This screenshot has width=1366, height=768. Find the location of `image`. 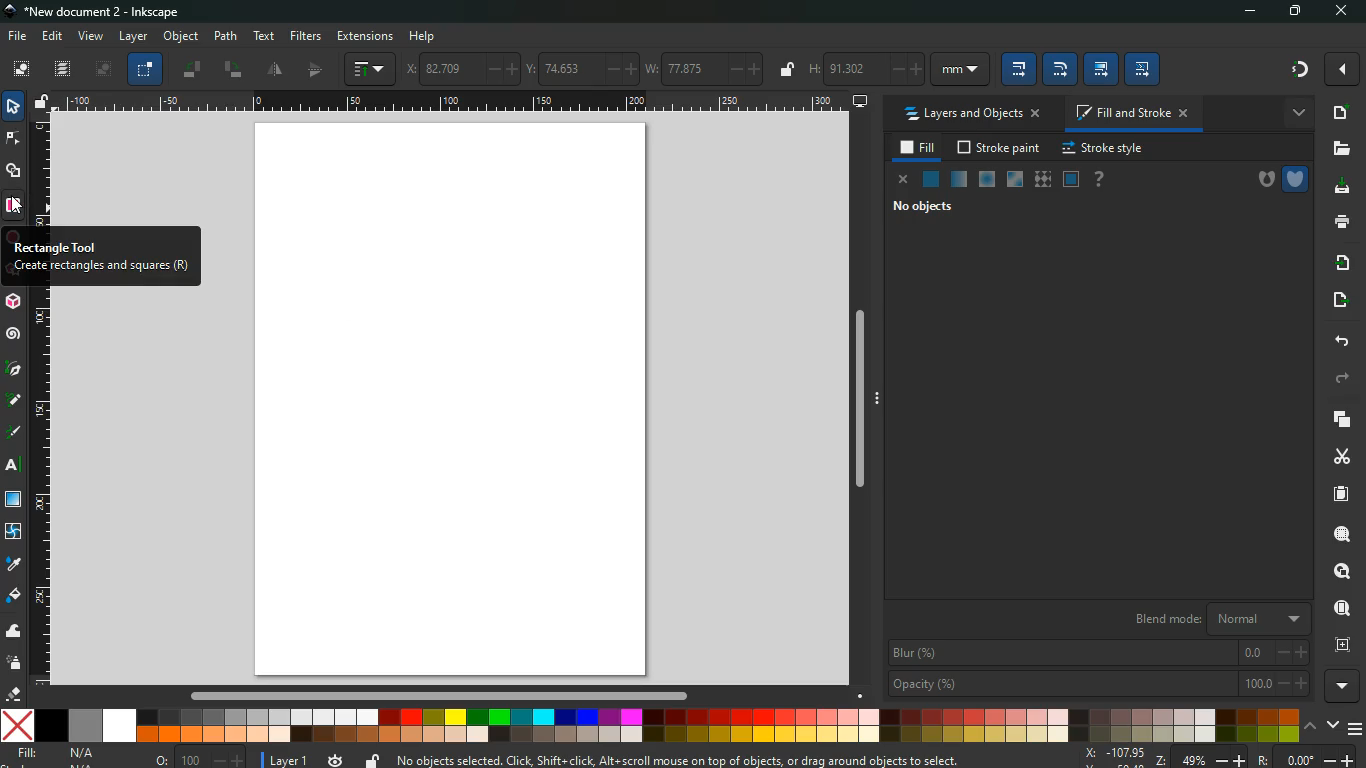

image is located at coordinates (102, 70).